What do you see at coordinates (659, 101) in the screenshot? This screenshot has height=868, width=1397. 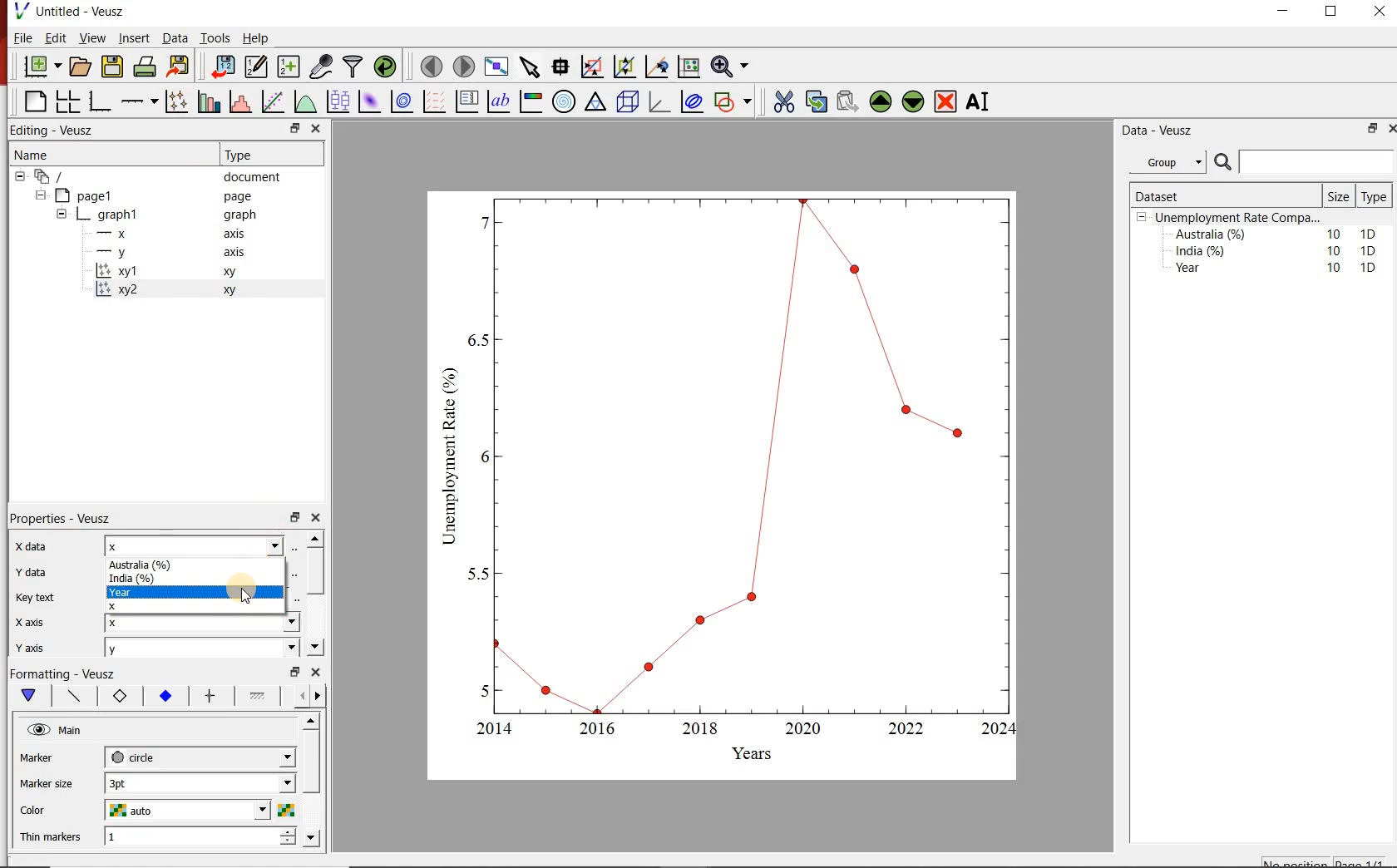 I see `3d graphs` at bounding box center [659, 101].